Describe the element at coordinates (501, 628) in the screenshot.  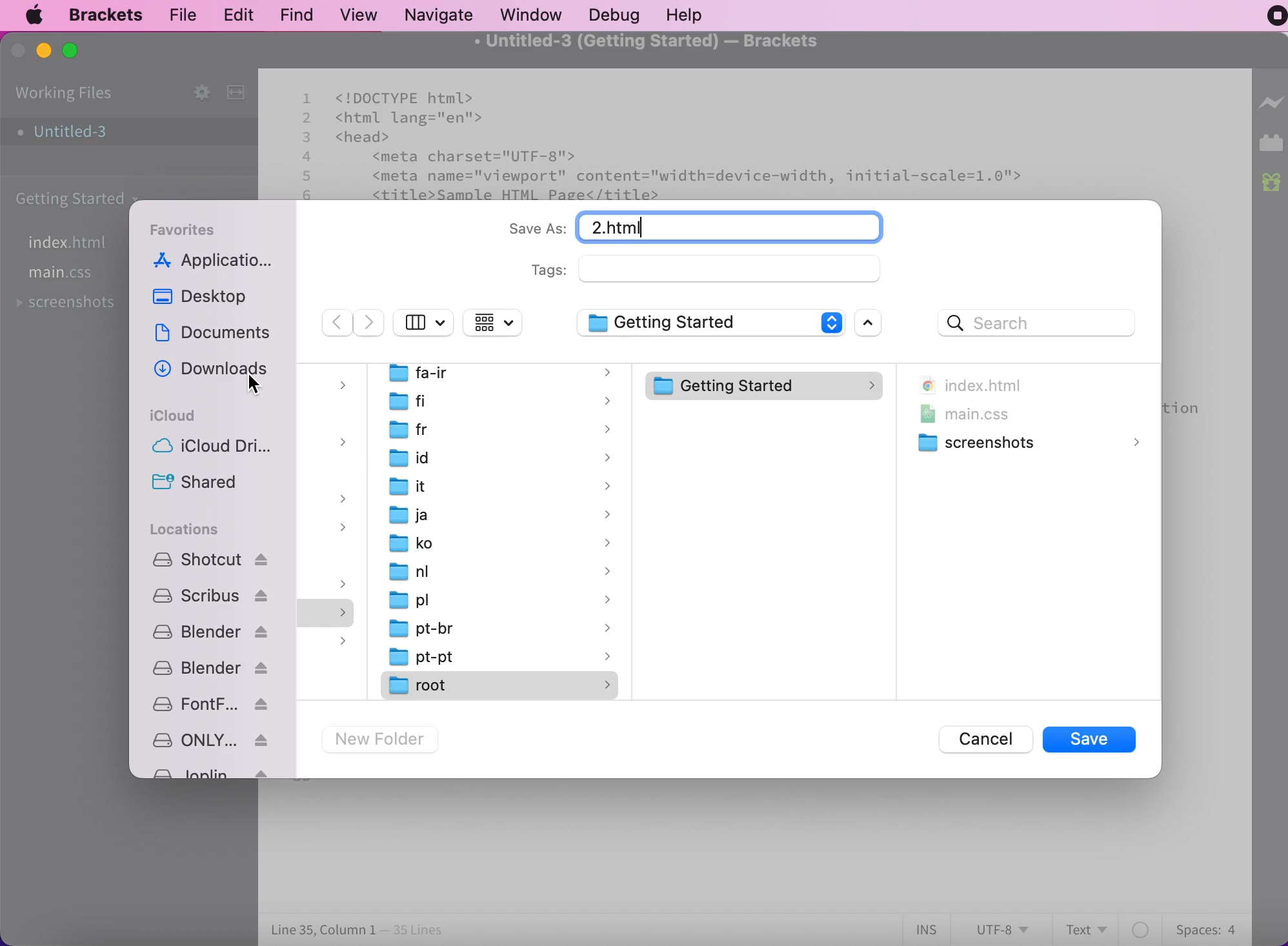
I see `pt-br` at that location.